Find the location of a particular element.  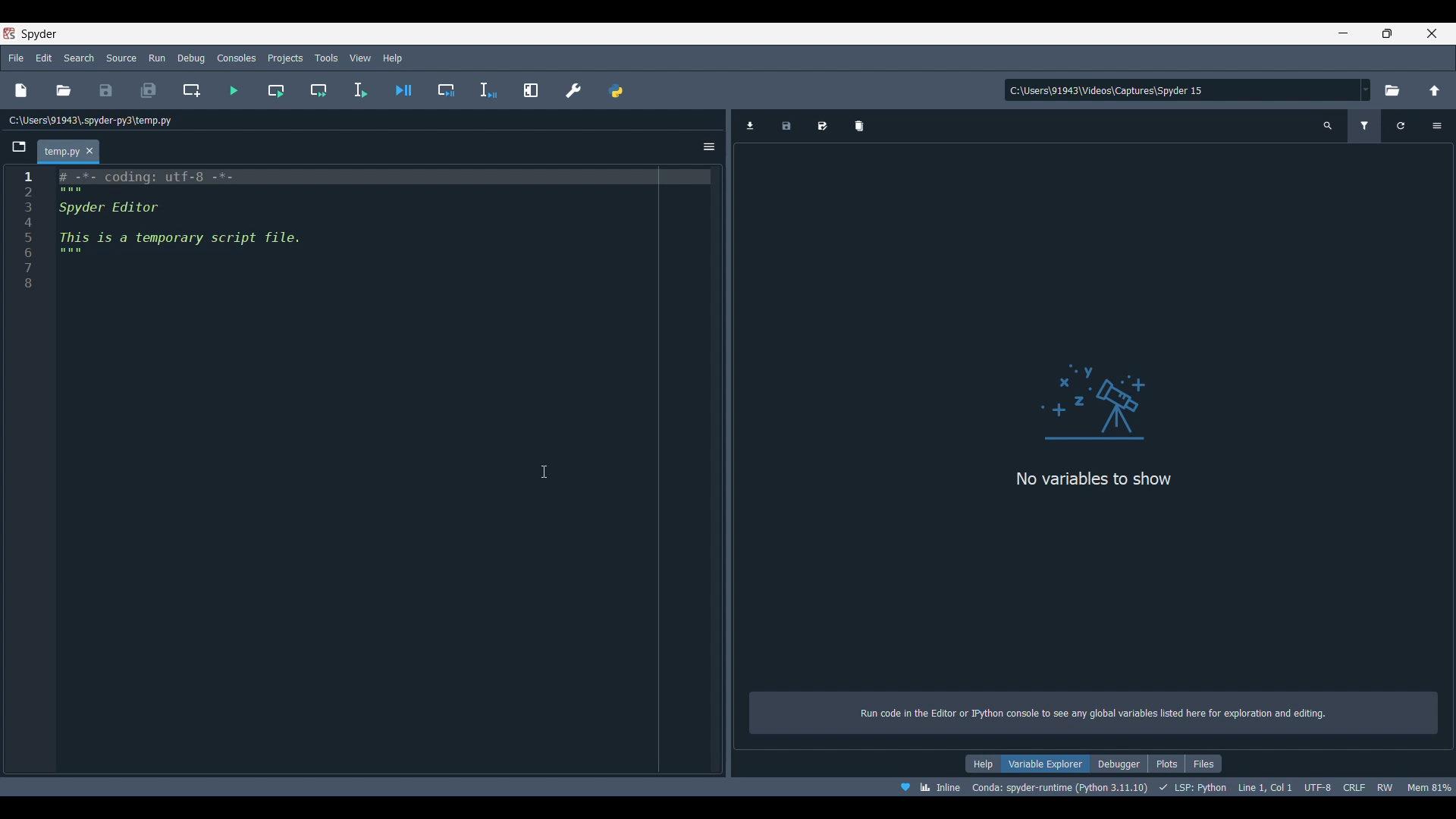

Current code is located at coordinates (361, 231).